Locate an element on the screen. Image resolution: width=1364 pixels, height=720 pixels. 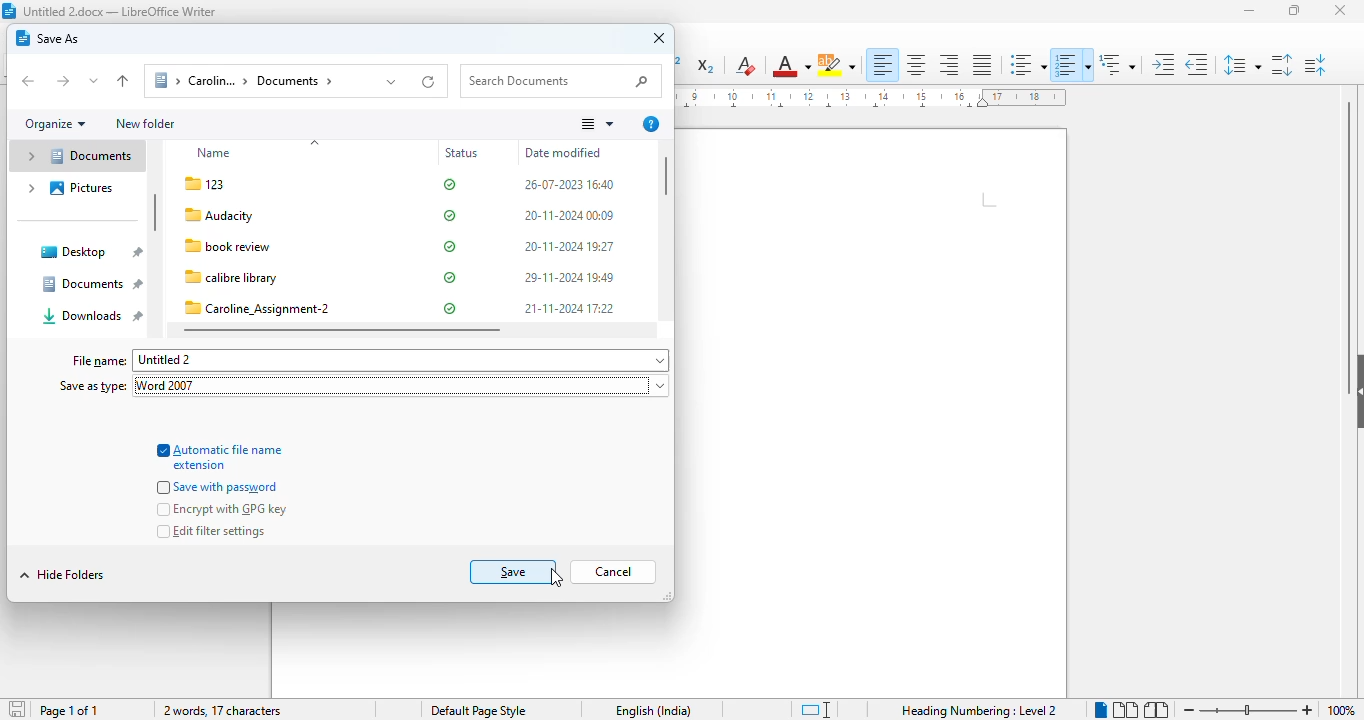
status is located at coordinates (464, 154).